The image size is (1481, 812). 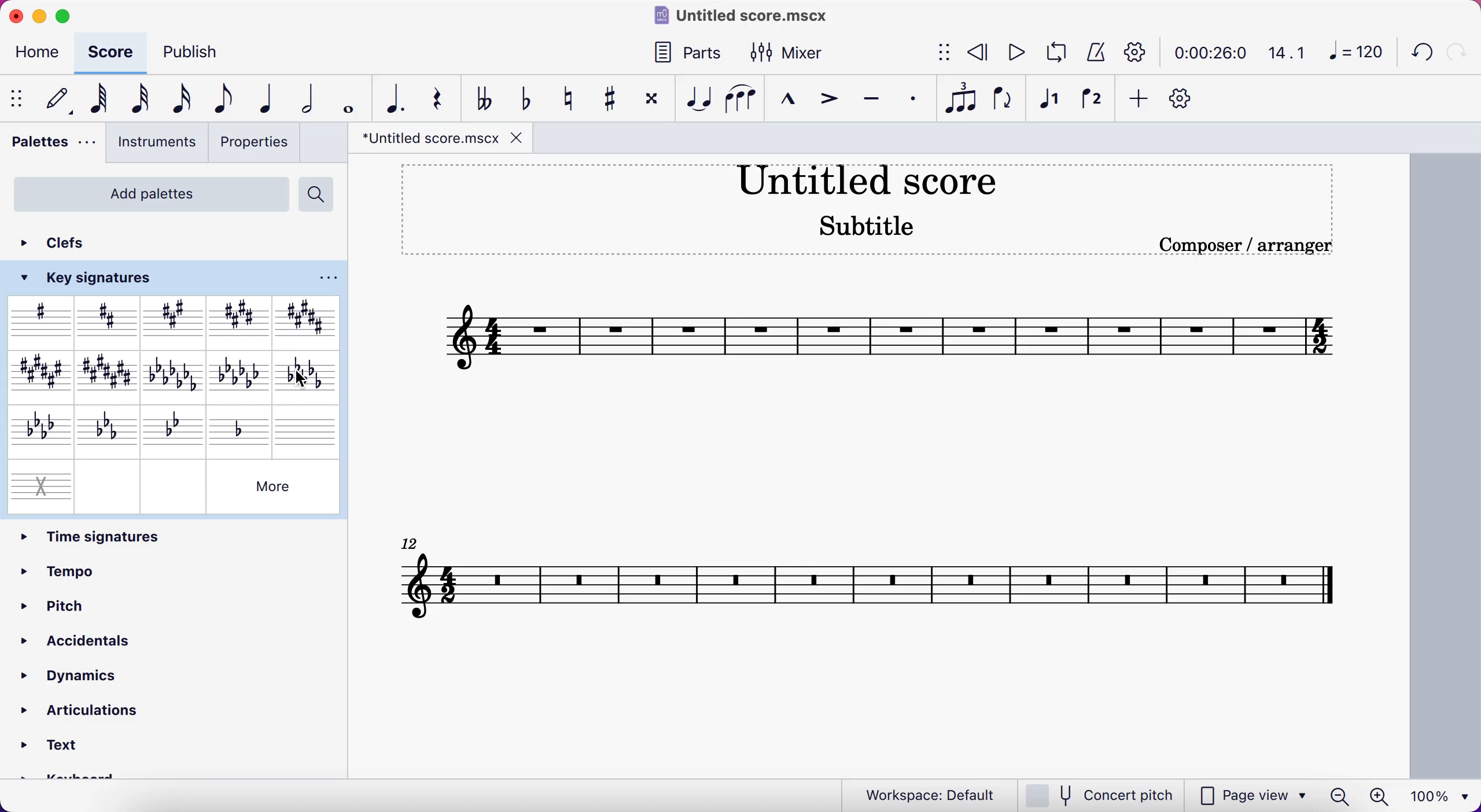 What do you see at coordinates (16, 16) in the screenshot?
I see `close` at bounding box center [16, 16].